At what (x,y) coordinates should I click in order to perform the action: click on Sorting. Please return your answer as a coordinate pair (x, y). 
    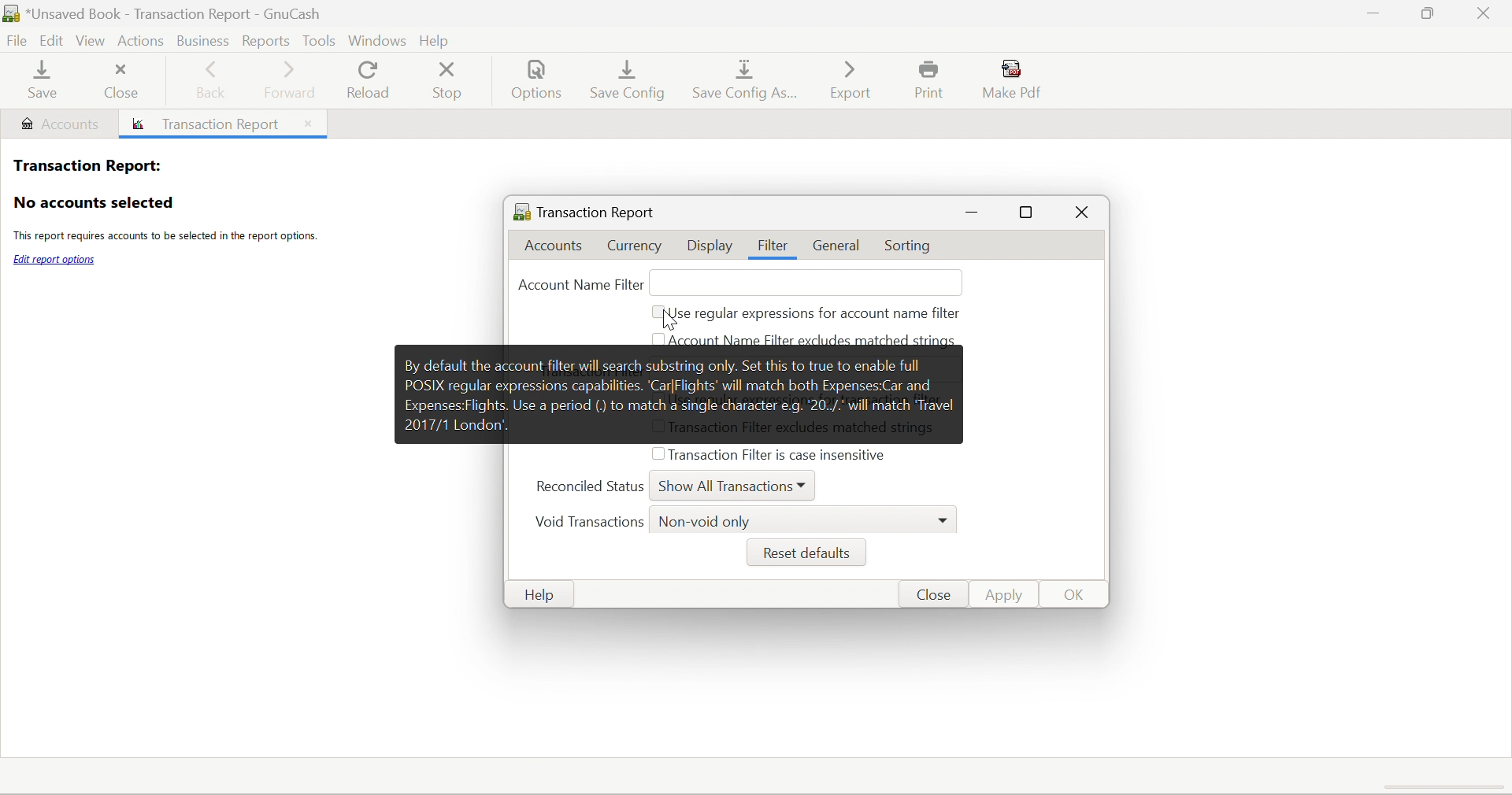
    Looking at the image, I should click on (911, 247).